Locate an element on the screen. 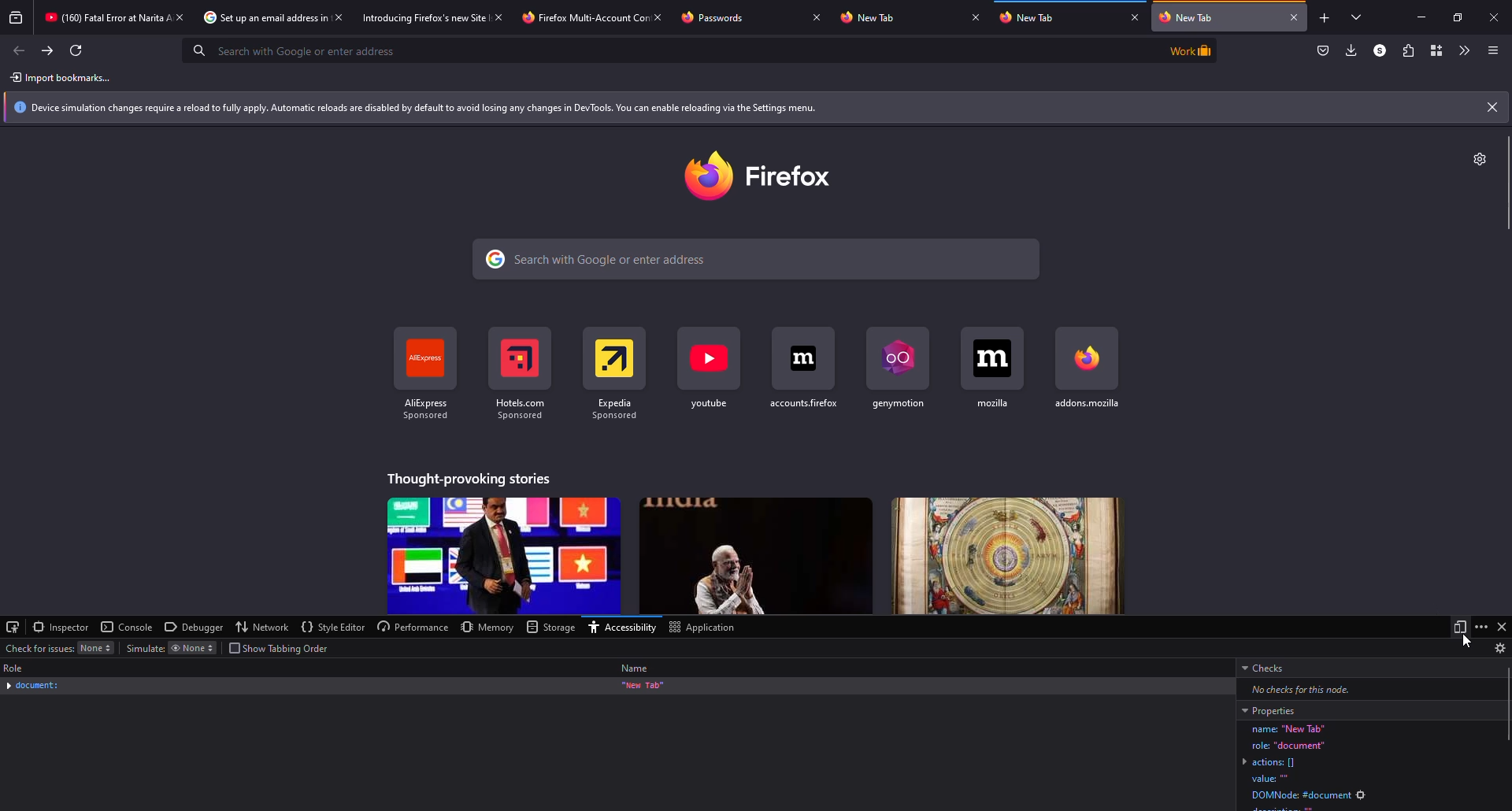 Image resolution: width=1512 pixels, height=811 pixels. add is located at coordinates (1323, 19).